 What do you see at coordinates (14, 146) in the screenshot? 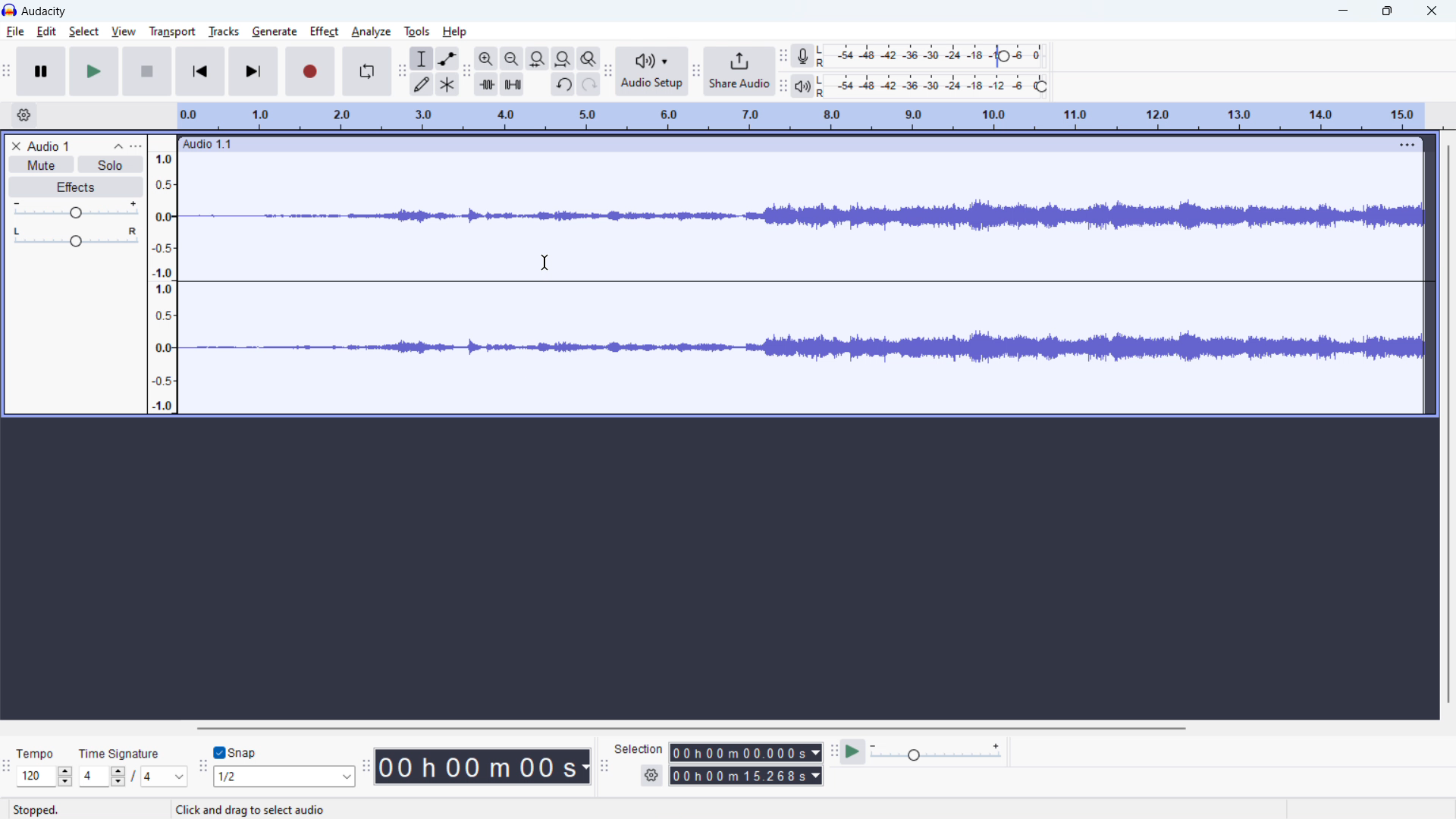
I see `delete audio` at bounding box center [14, 146].